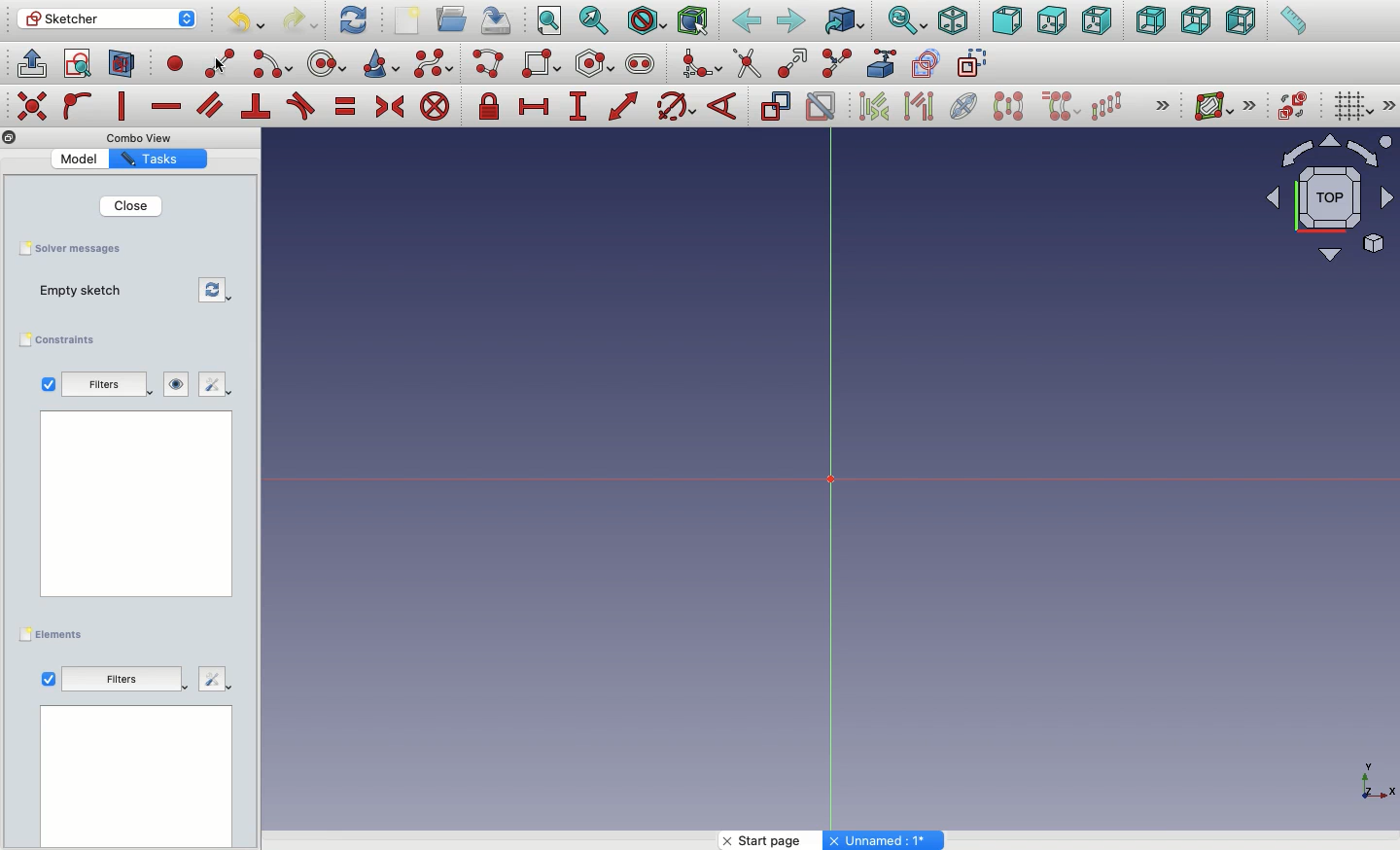  Describe the element at coordinates (877, 106) in the screenshot. I see `Associated constraints` at that location.